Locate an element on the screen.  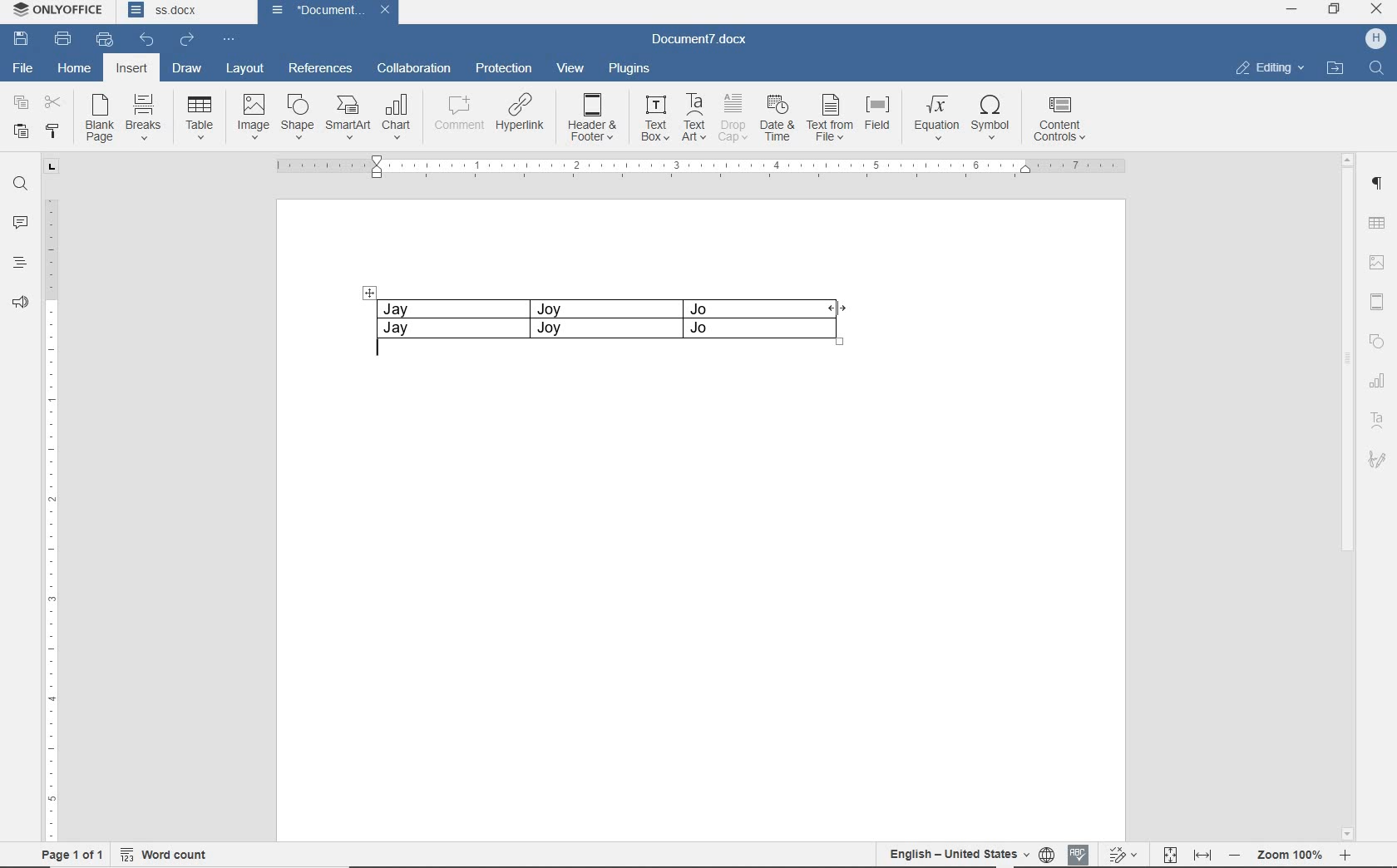
TEXT ART is located at coordinates (1377, 420).